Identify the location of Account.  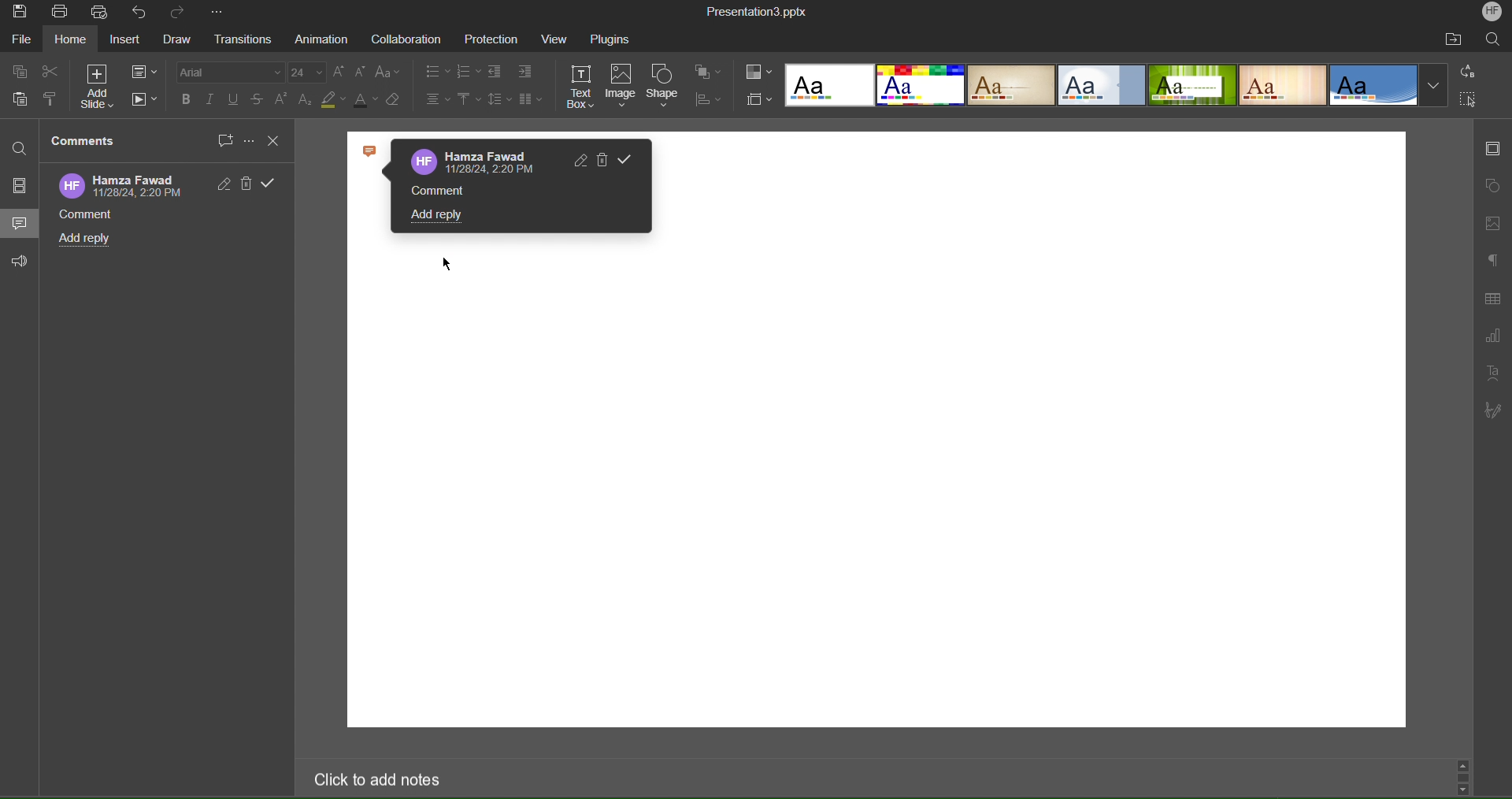
(1490, 13).